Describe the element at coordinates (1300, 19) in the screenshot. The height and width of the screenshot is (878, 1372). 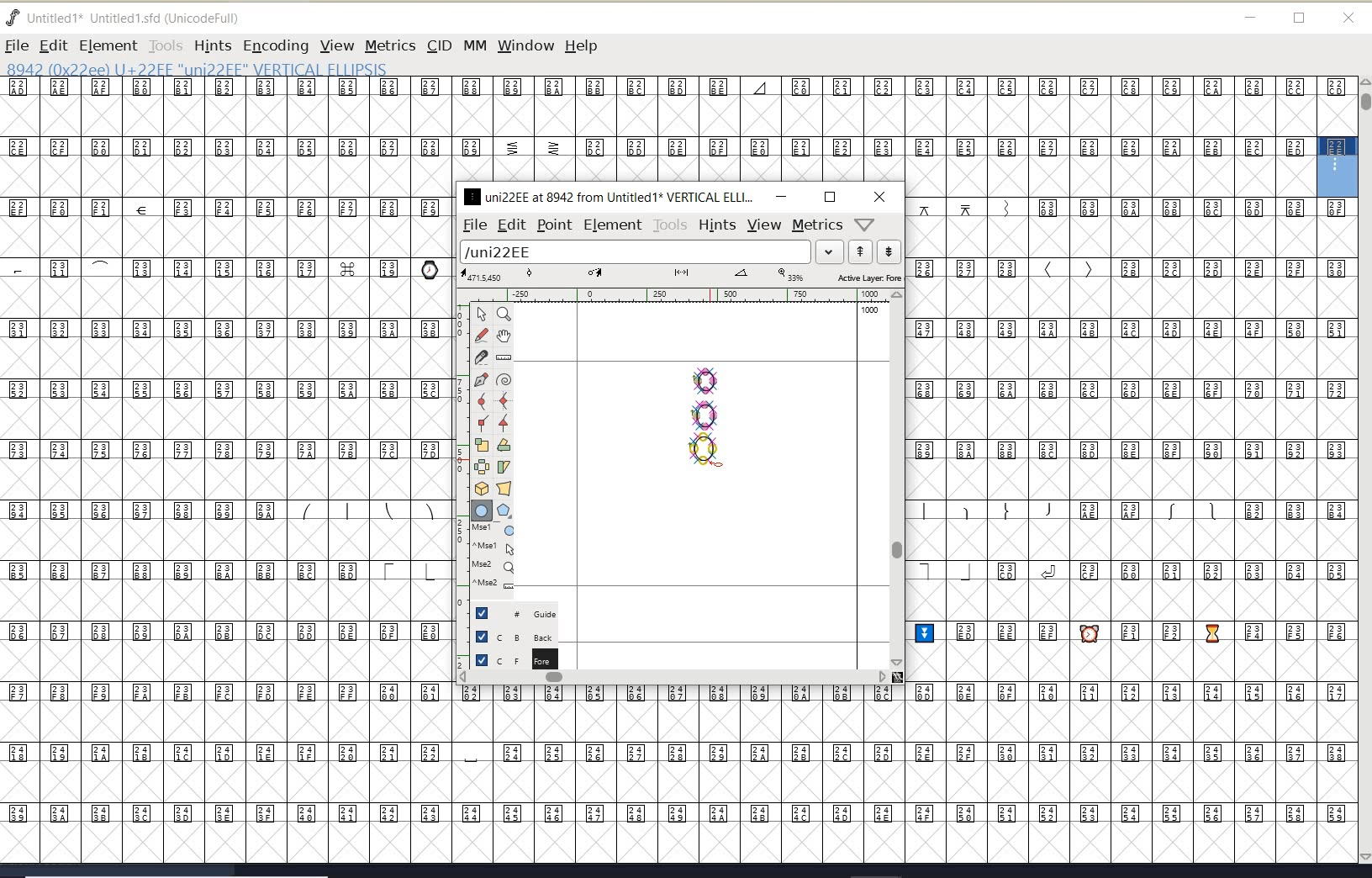
I see `restore` at that location.